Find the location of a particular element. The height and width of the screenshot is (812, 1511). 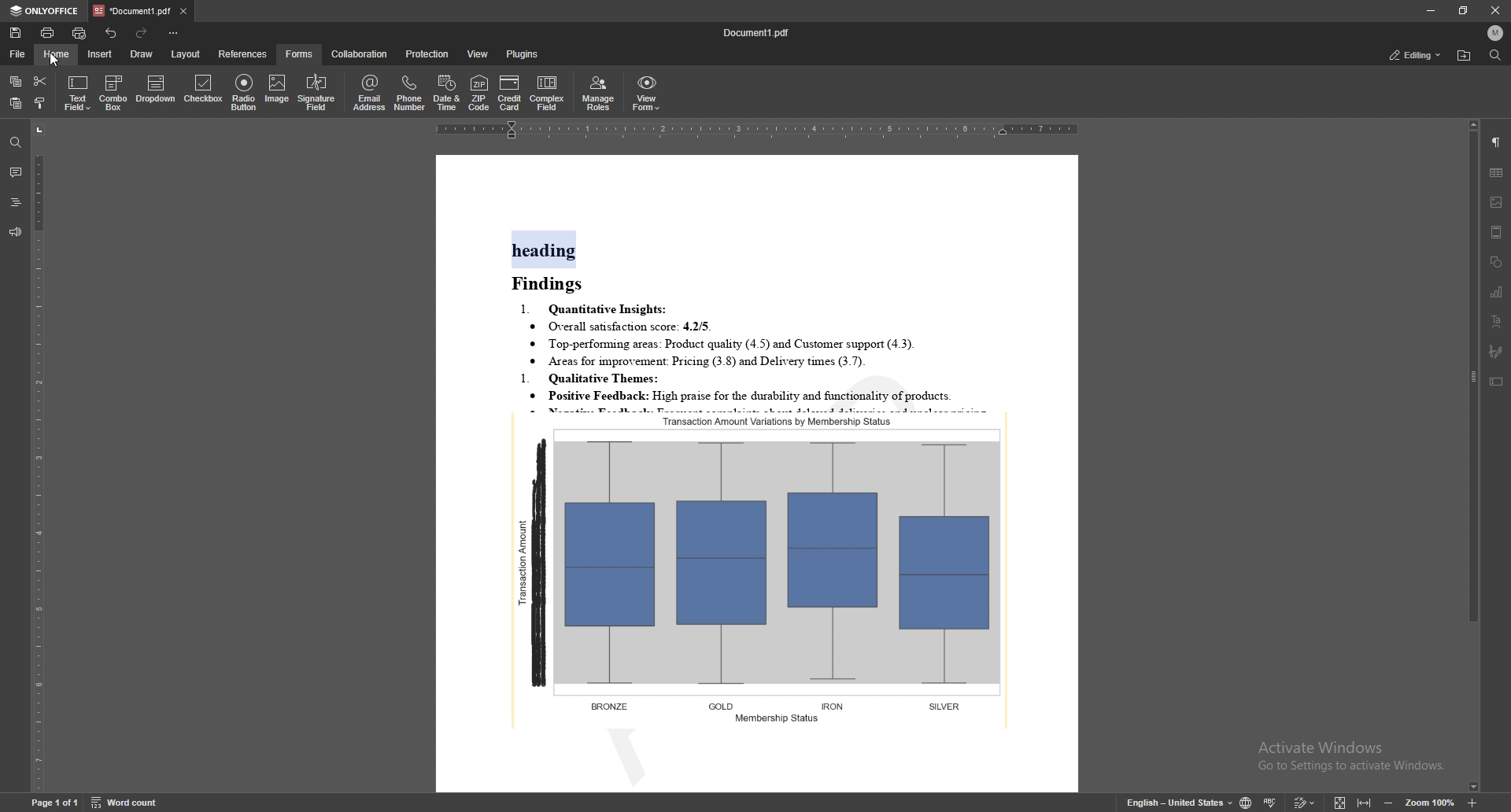

resize is located at coordinates (1463, 10).